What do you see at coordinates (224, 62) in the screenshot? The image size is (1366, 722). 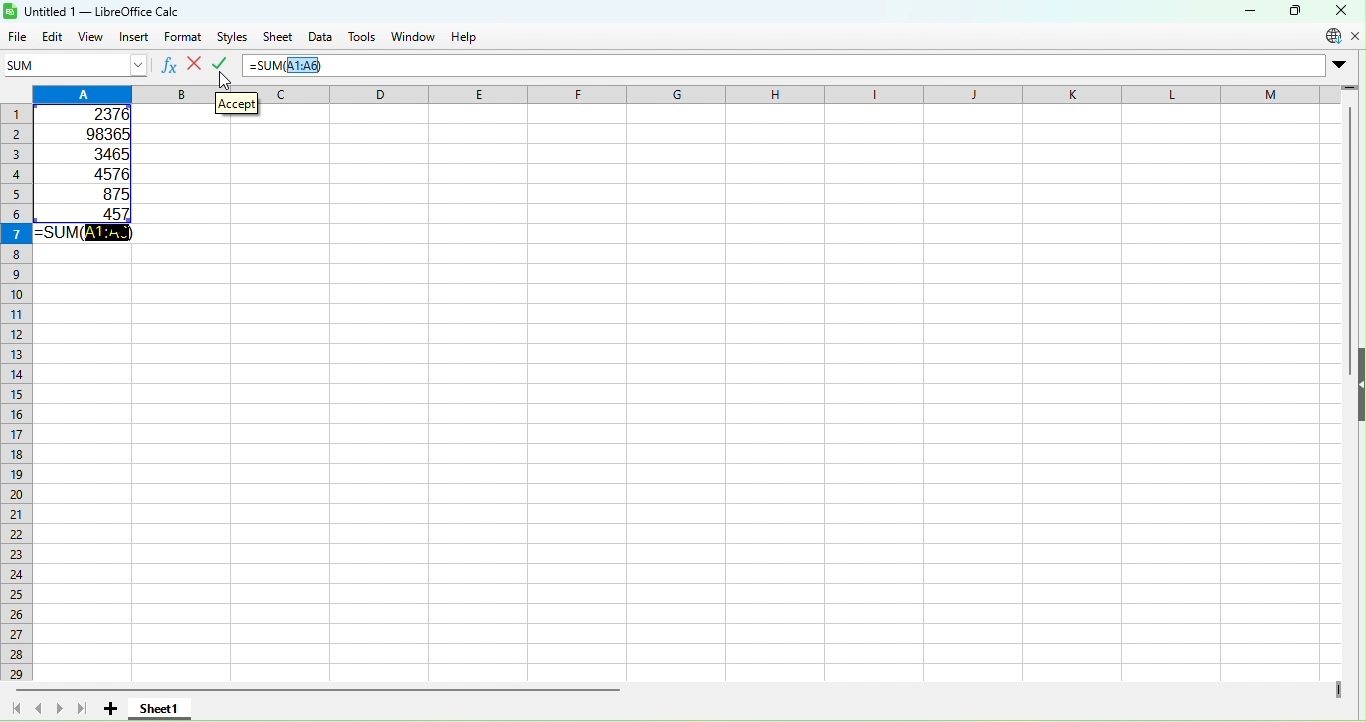 I see `Accept` at bounding box center [224, 62].